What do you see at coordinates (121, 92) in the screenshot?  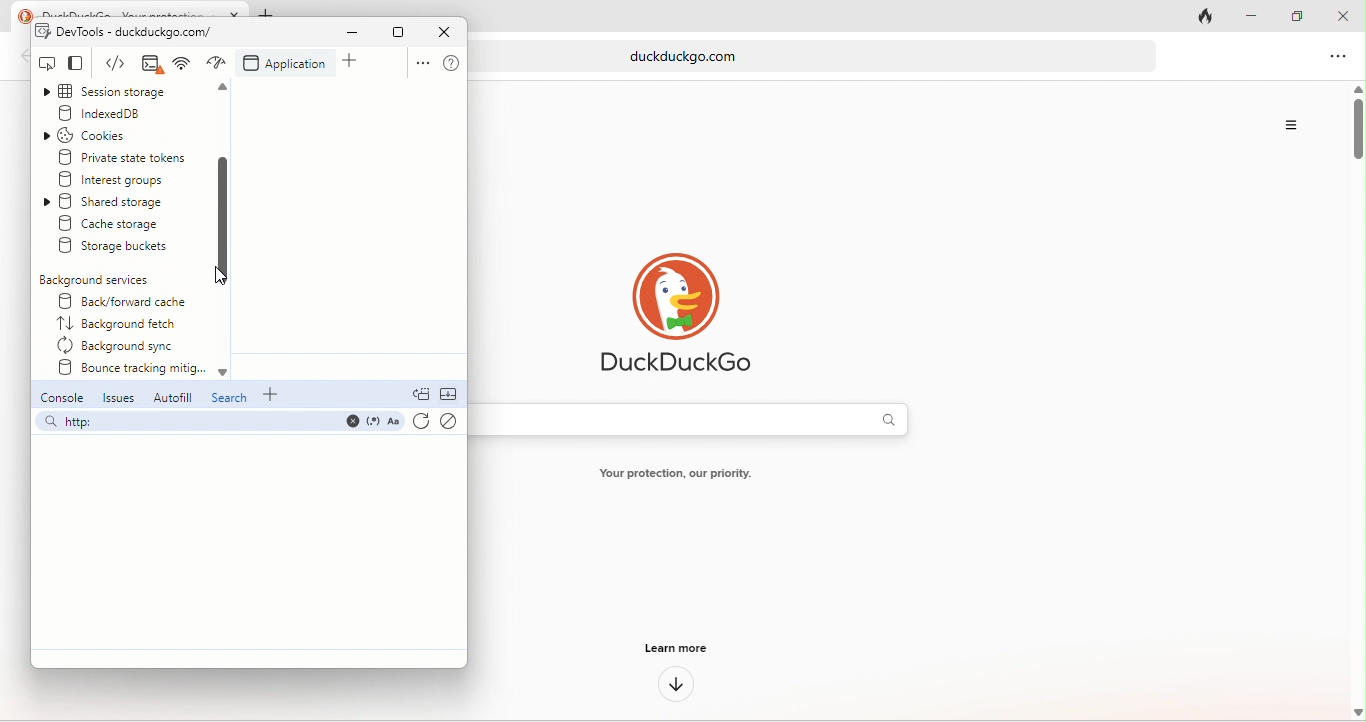 I see `session storage` at bounding box center [121, 92].